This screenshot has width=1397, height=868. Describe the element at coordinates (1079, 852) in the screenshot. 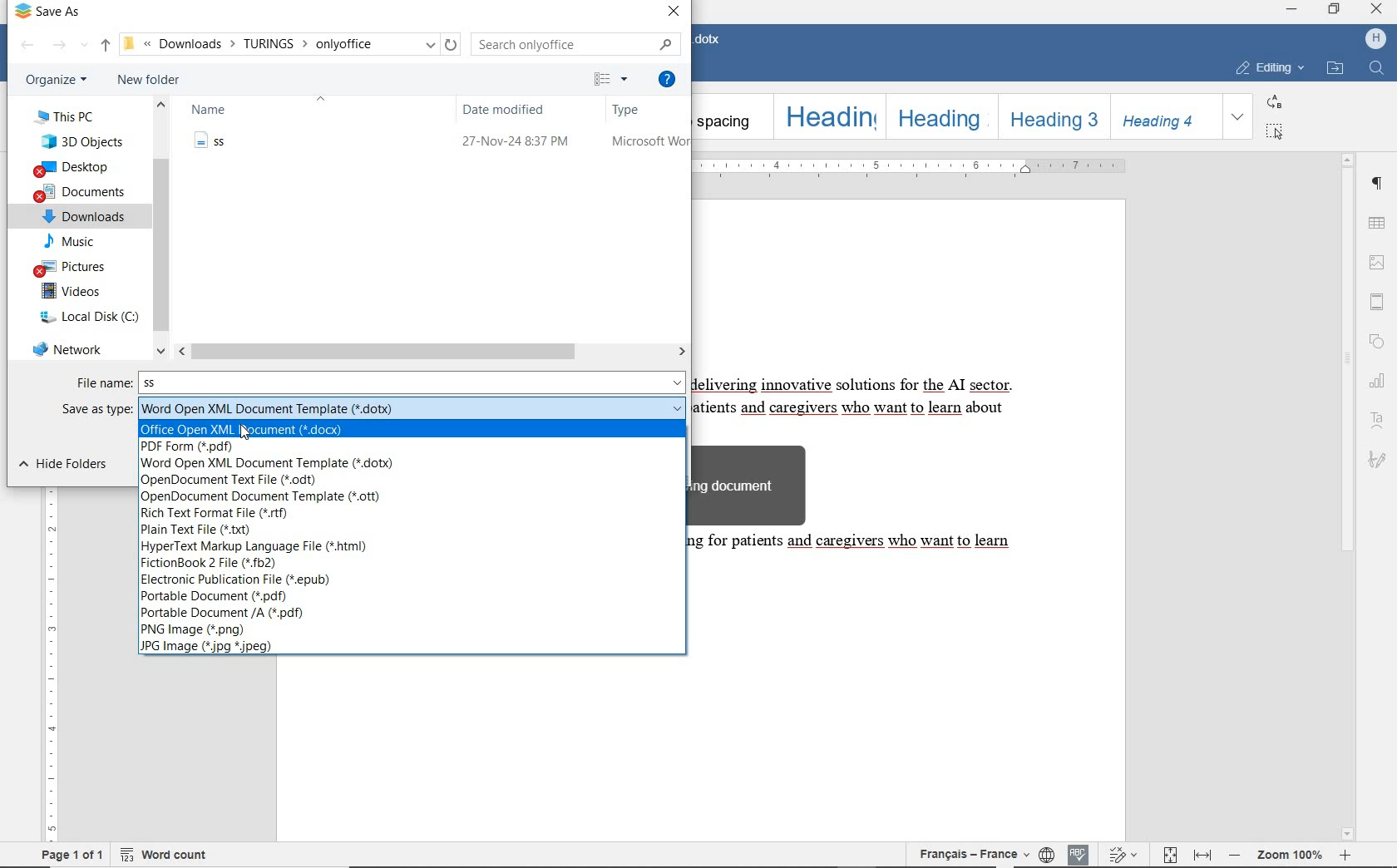

I see `SPELL CHECKING` at that location.